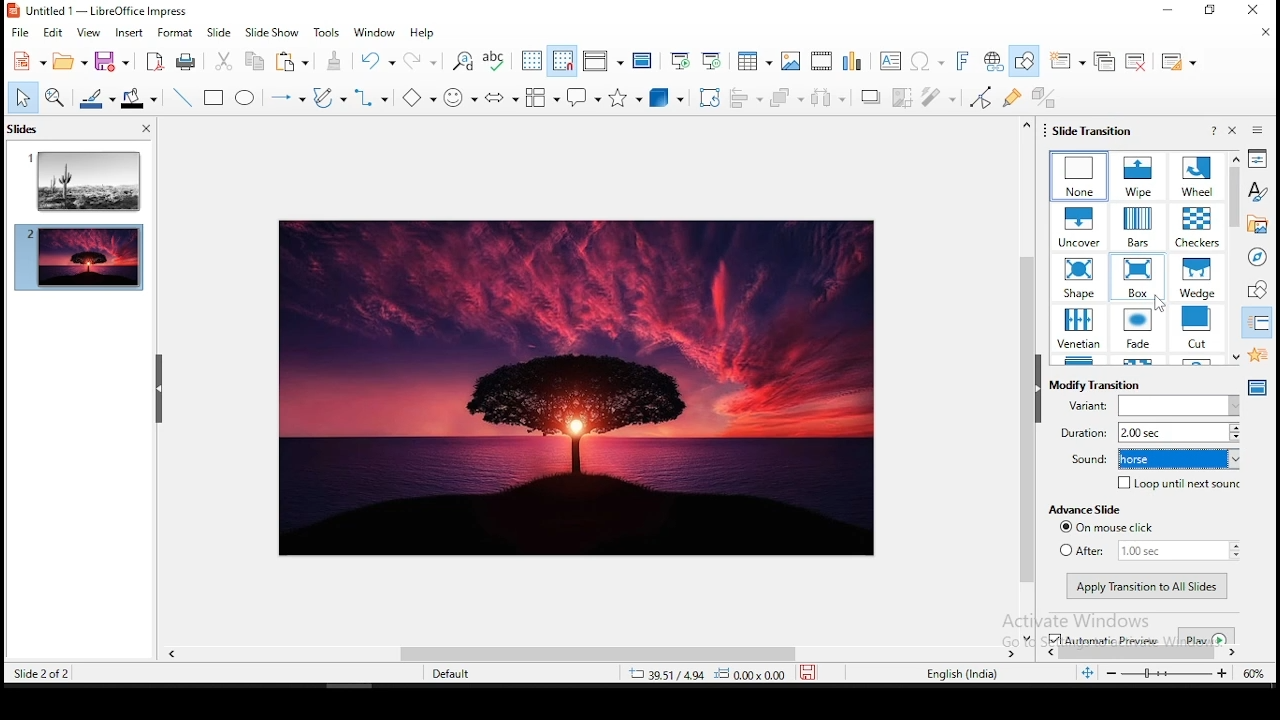  I want to click on transition effects, so click(1080, 277).